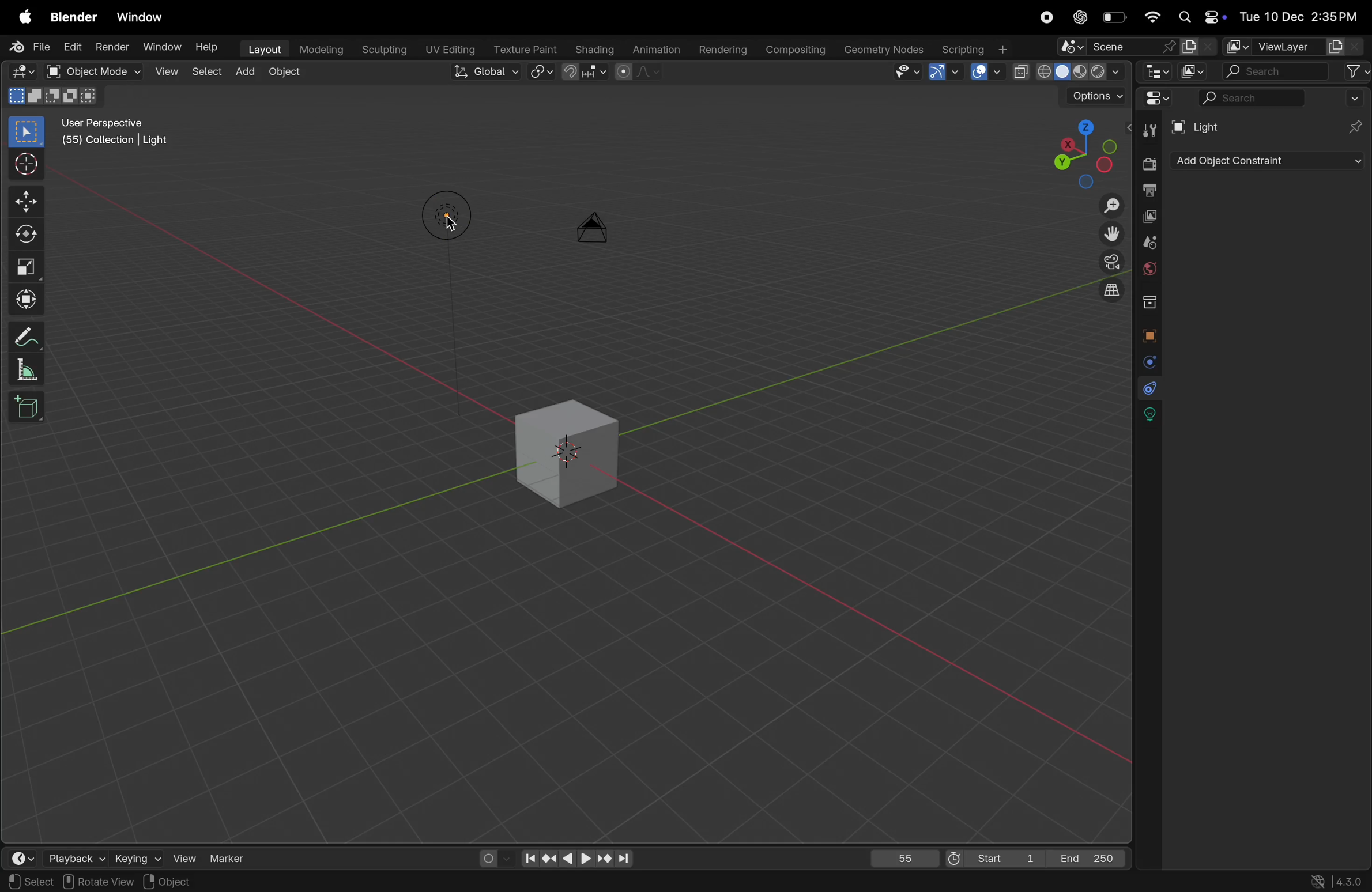 The height and width of the screenshot is (892, 1372). What do you see at coordinates (1356, 126) in the screenshot?
I see `pins` at bounding box center [1356, 126].